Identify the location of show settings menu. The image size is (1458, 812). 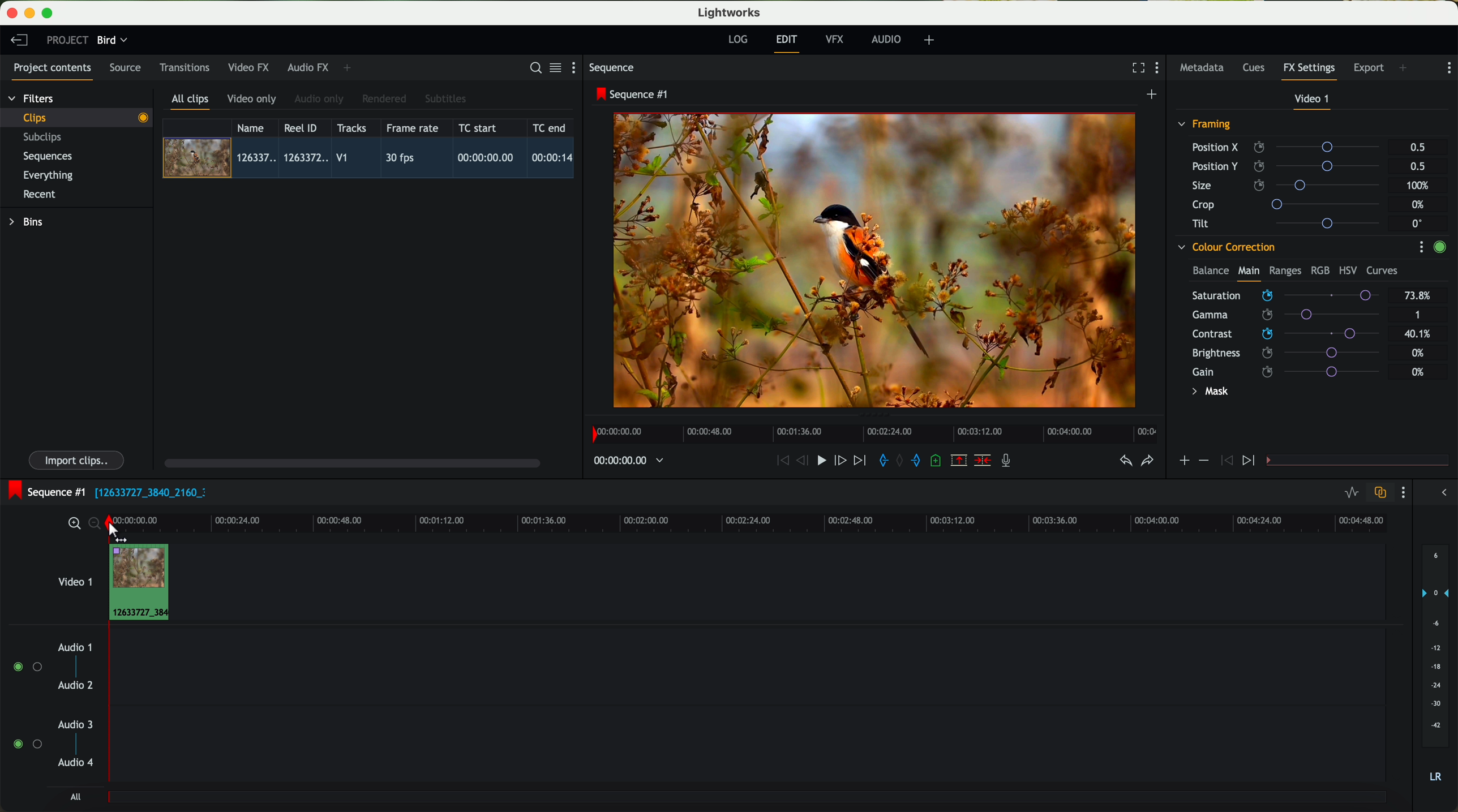
(1448, 68).